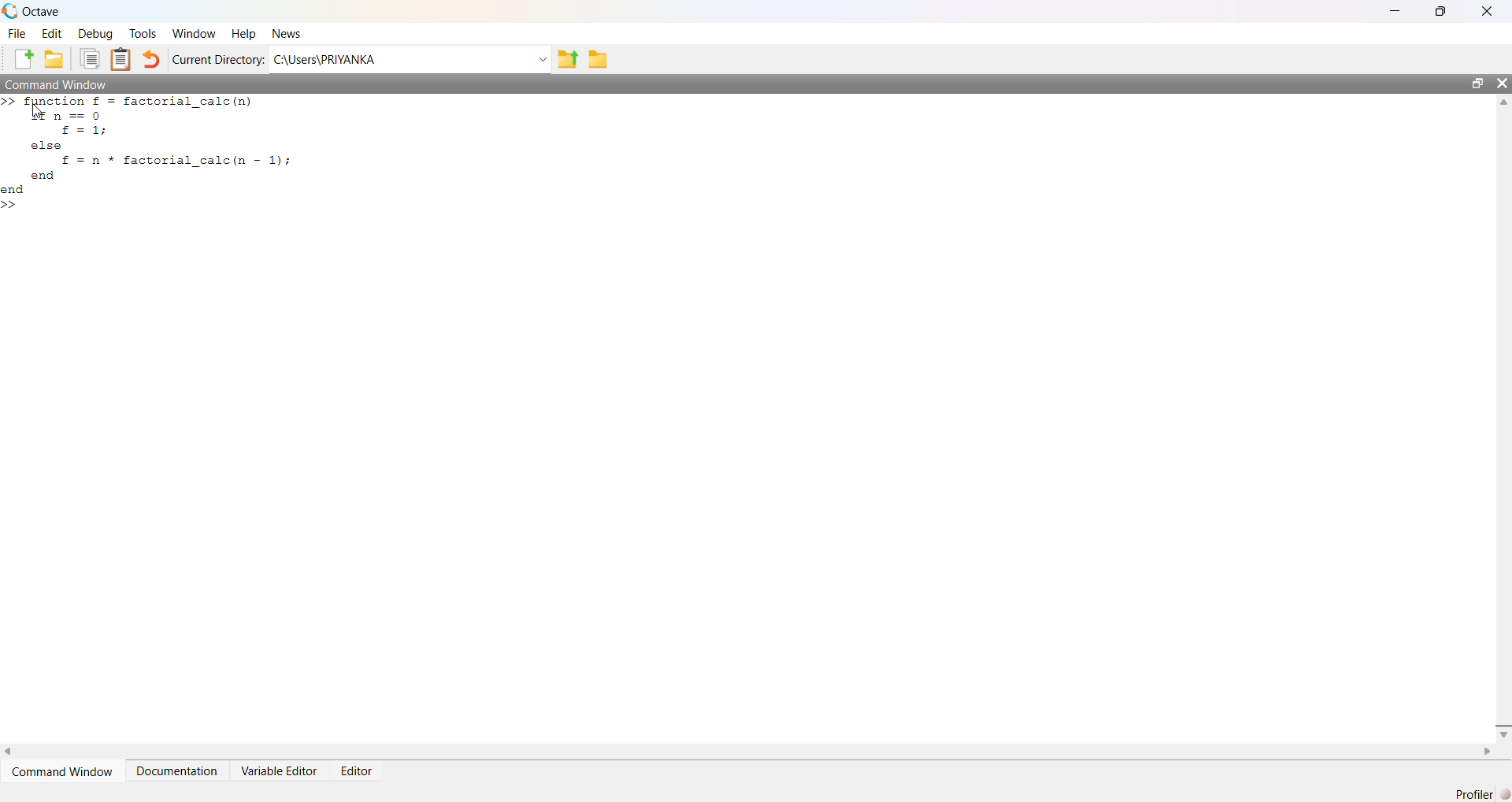 This screenshot has height=802, width=1512. Describe the element at coordinates (543, 60) in the screenshot. I see `Drop-down ` at that location.